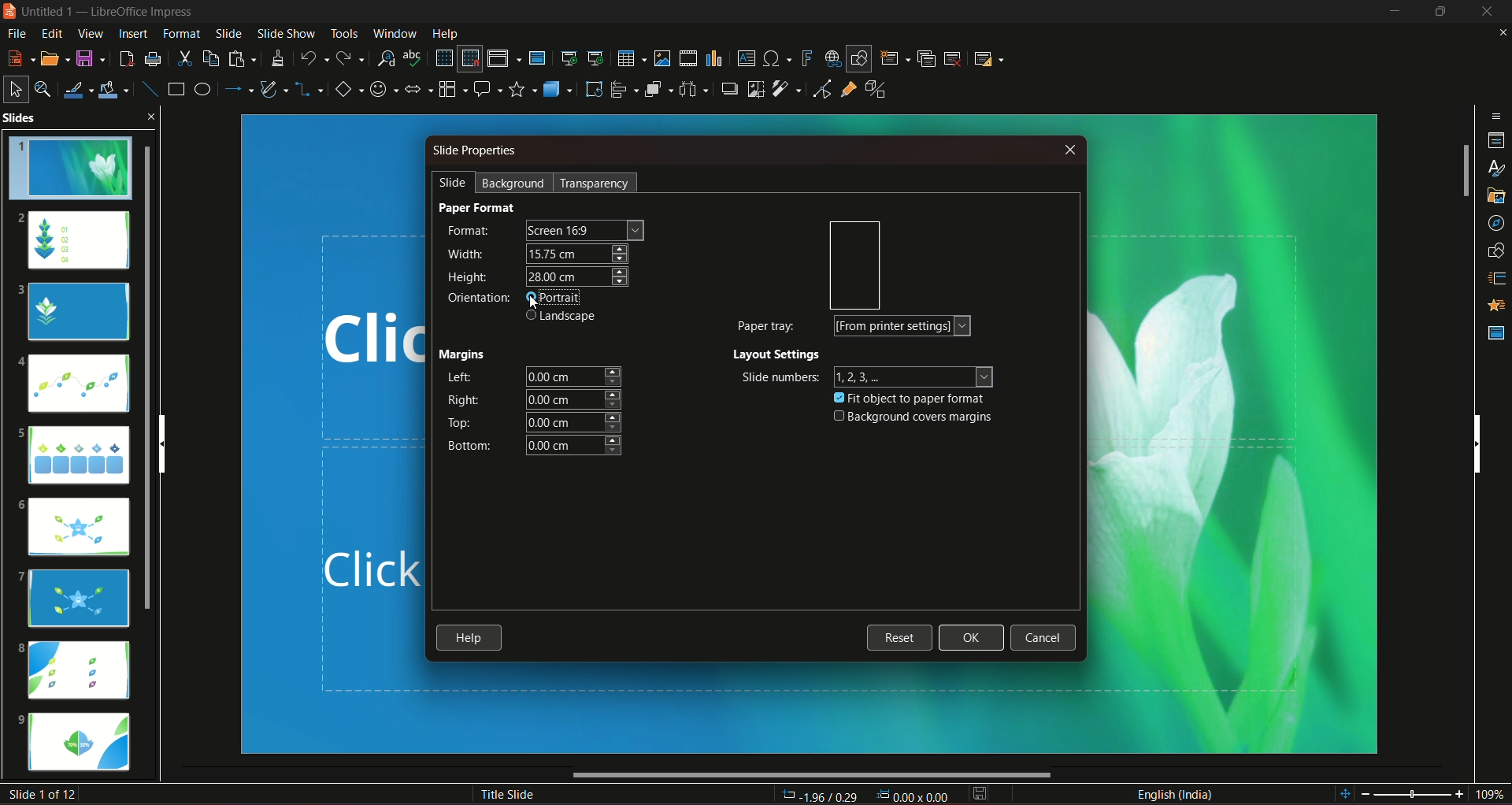 The height and width of the screenshot is (805, 1512). I want to click on top margin, so click(575, 422).